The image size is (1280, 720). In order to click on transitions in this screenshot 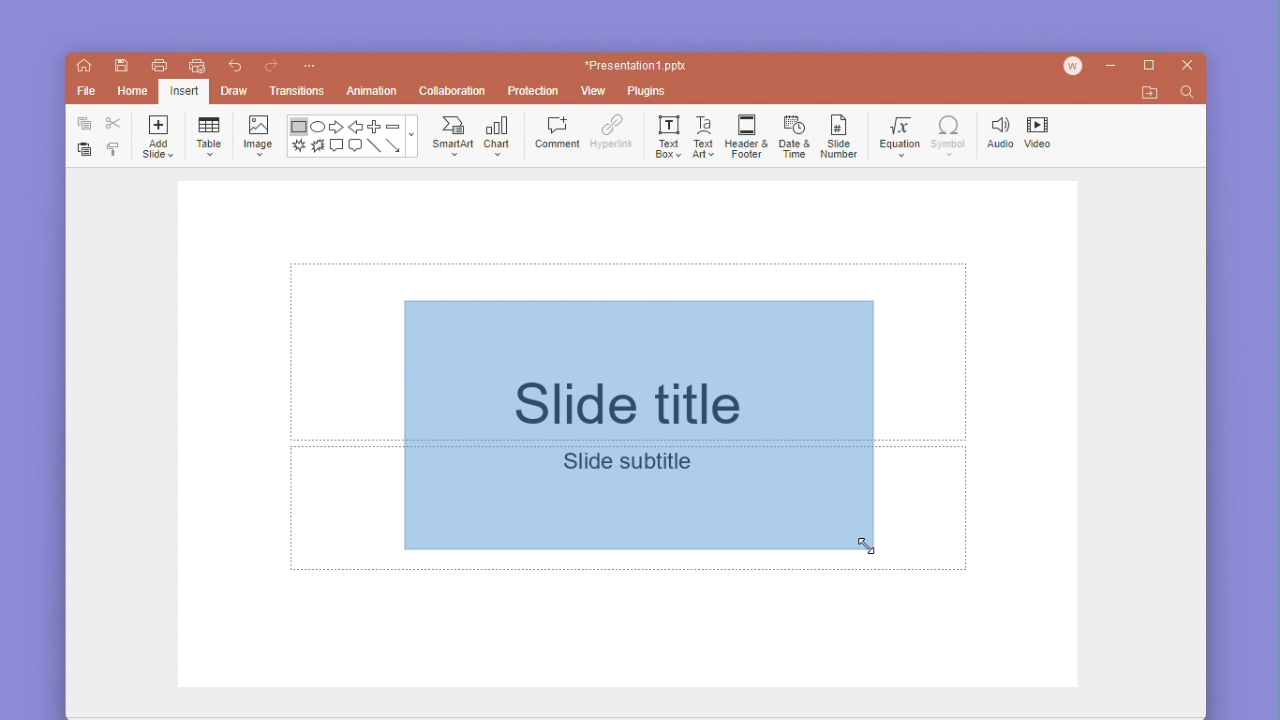, I will do `click(296, 90)`.